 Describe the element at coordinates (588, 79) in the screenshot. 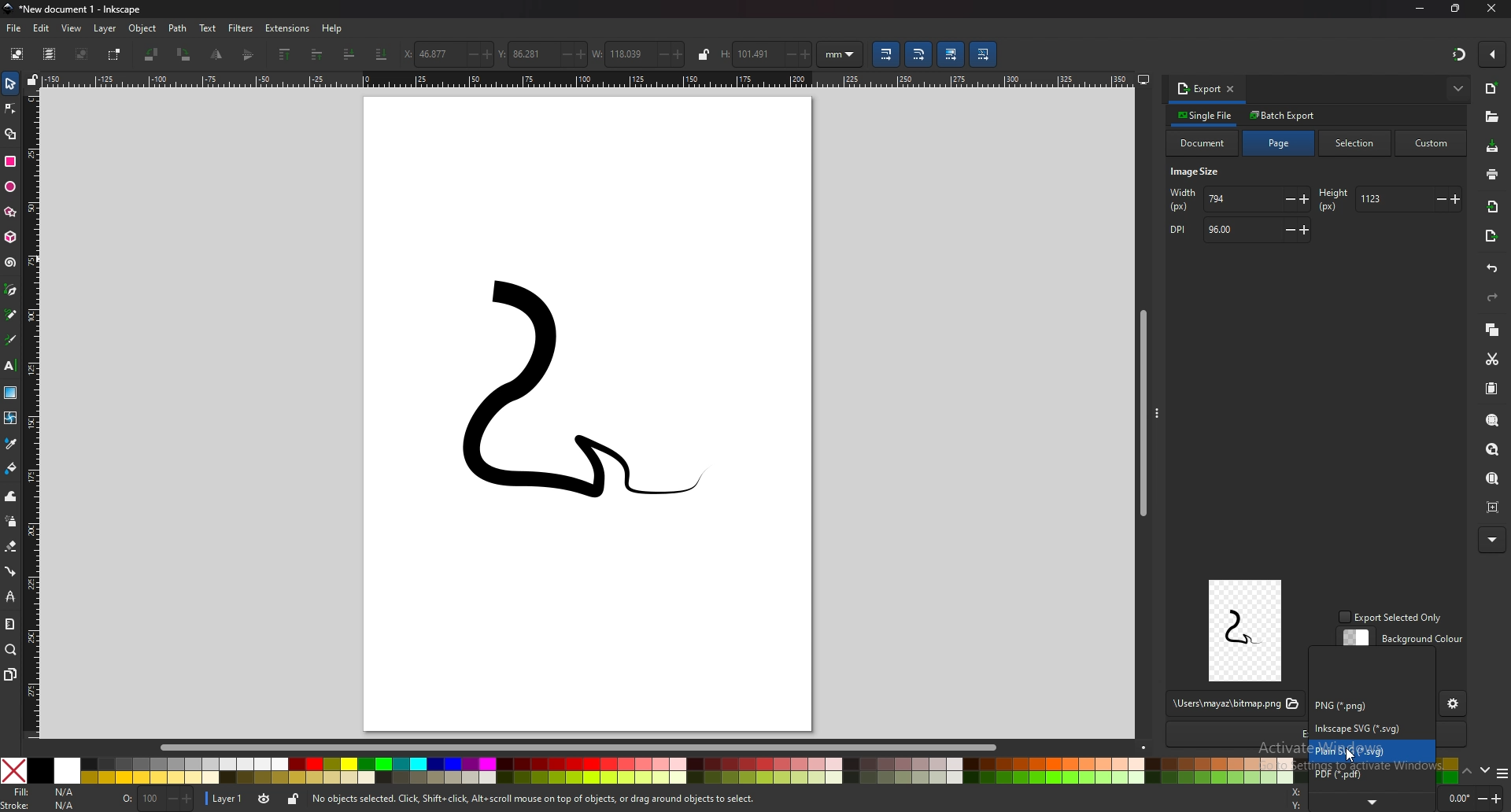

I see `horizontal scale` at that location.